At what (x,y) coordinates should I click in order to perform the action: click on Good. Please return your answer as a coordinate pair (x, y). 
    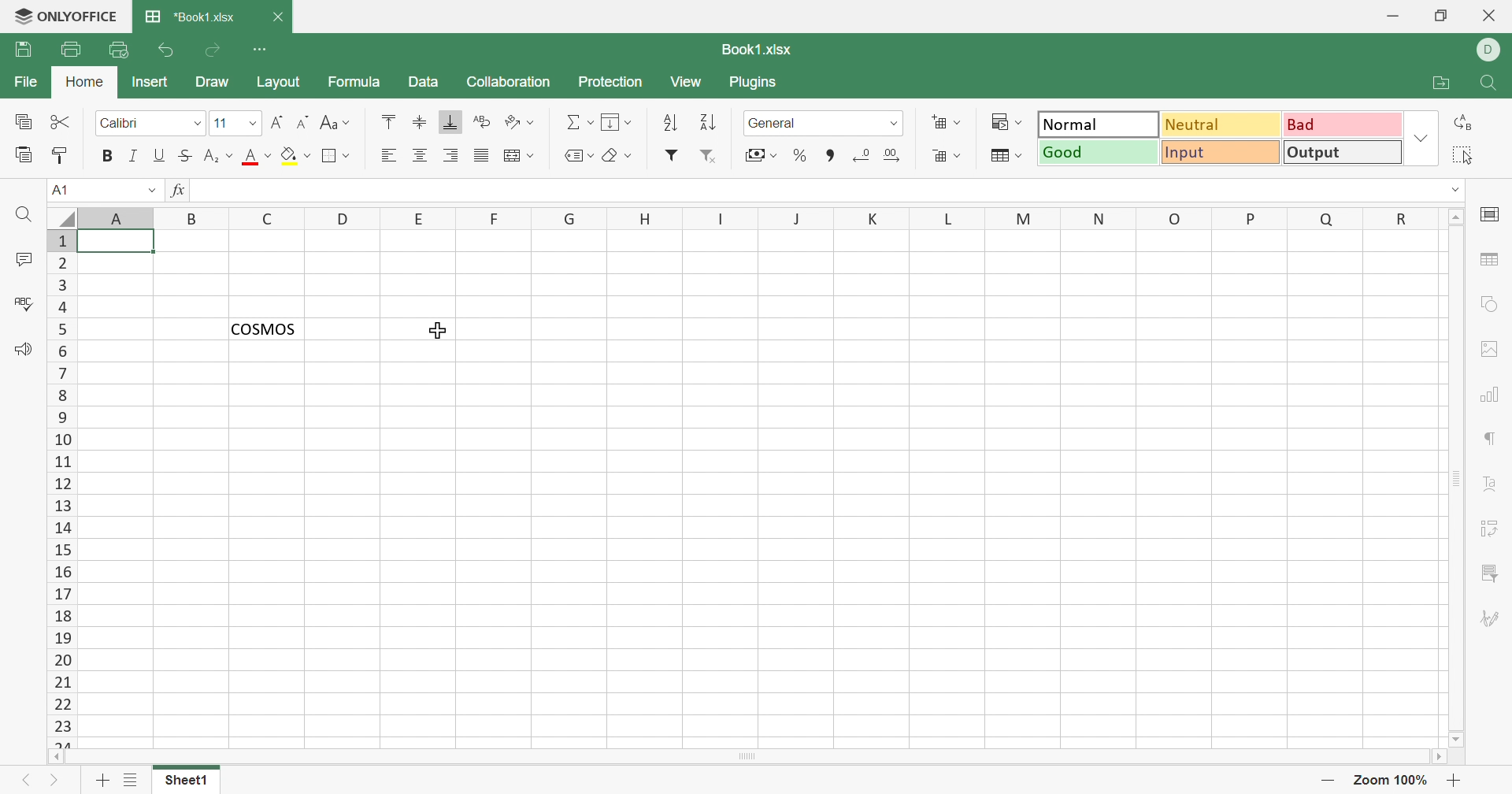
    Looking at the image, I should click on (1097, 153).